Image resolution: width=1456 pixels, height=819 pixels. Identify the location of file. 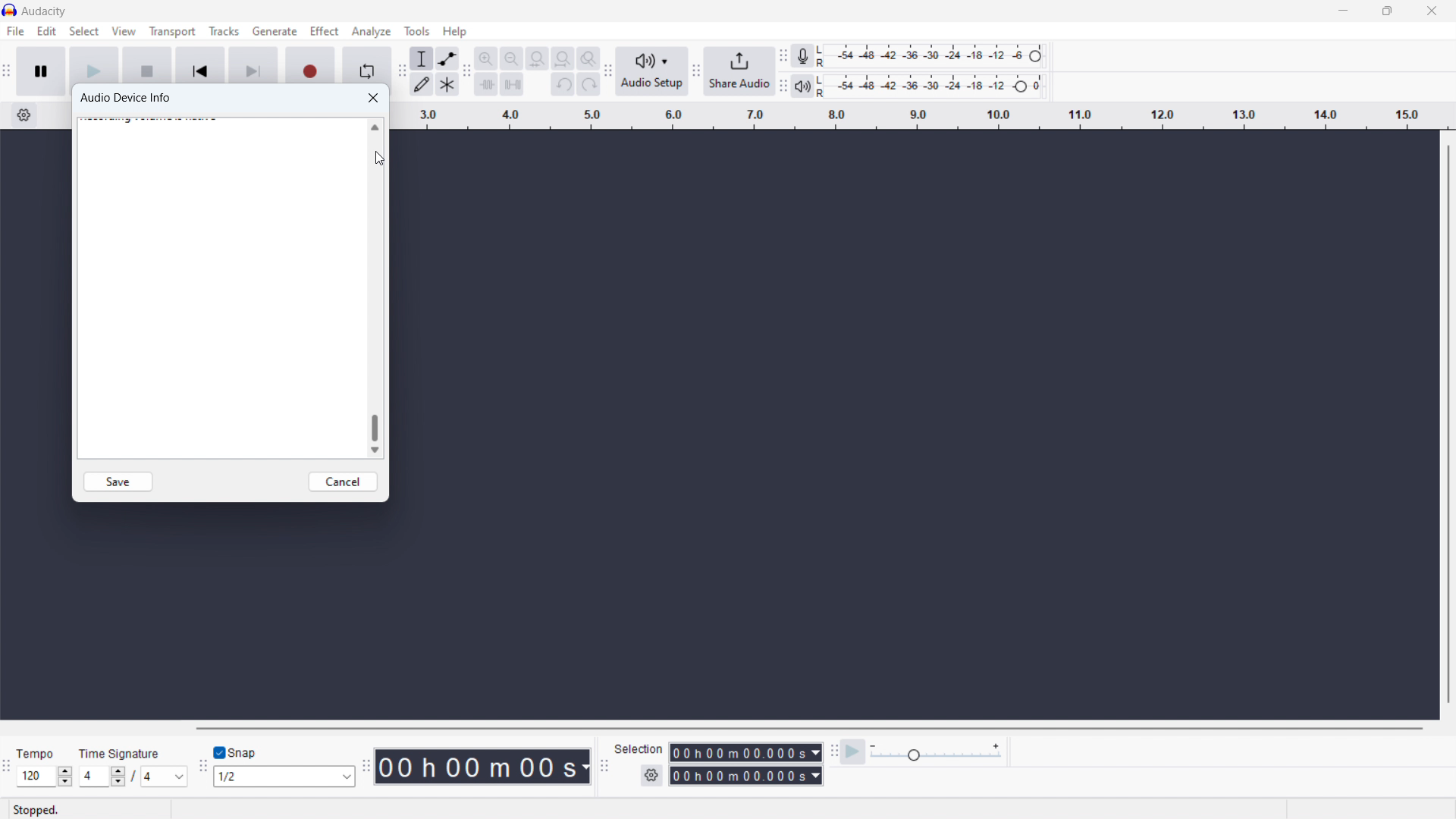
(14, 31).